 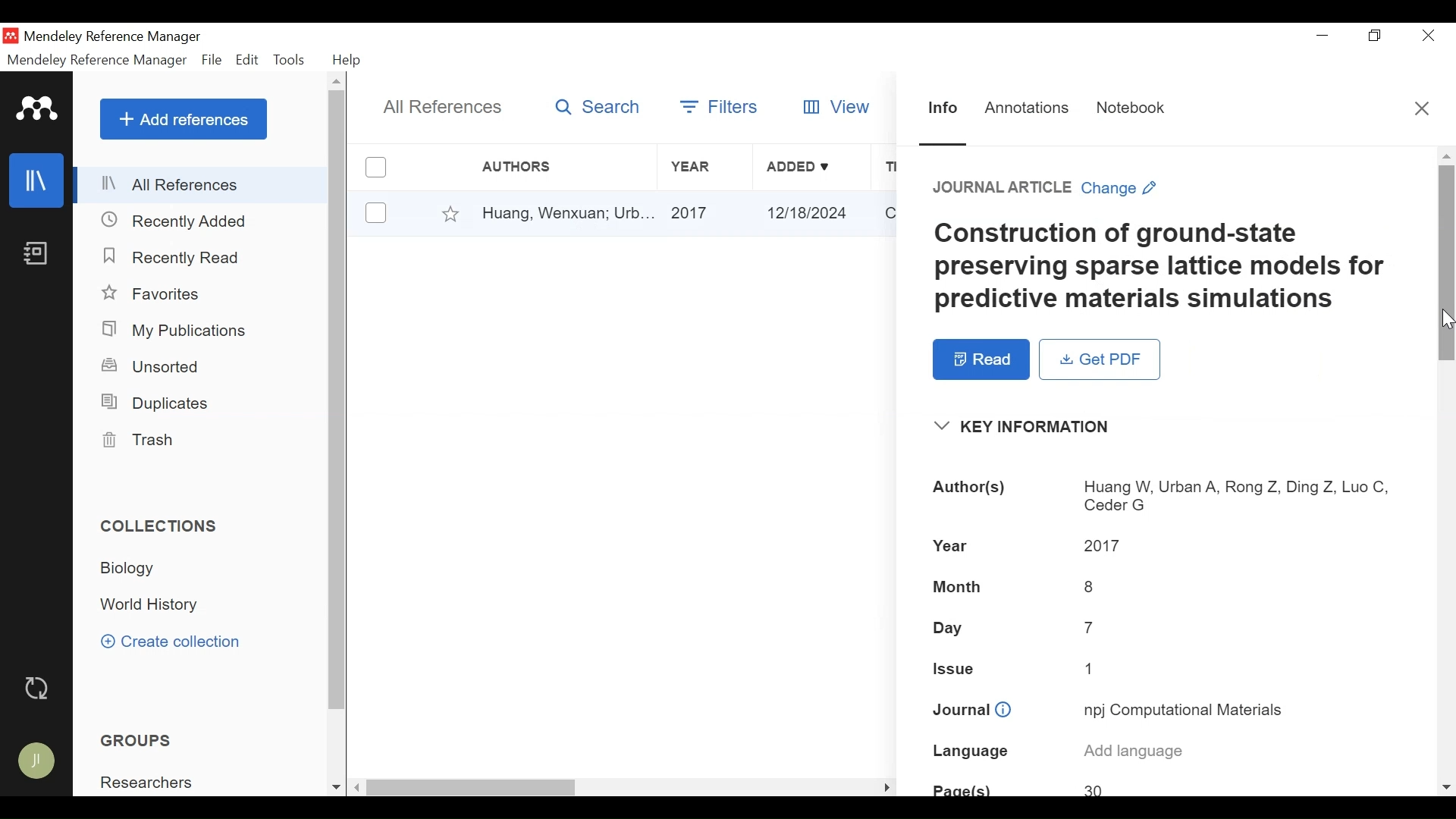 What do you see at coordinates (811, 167) in the screenshot?
I see `Added` at bounding box center [811, 167].